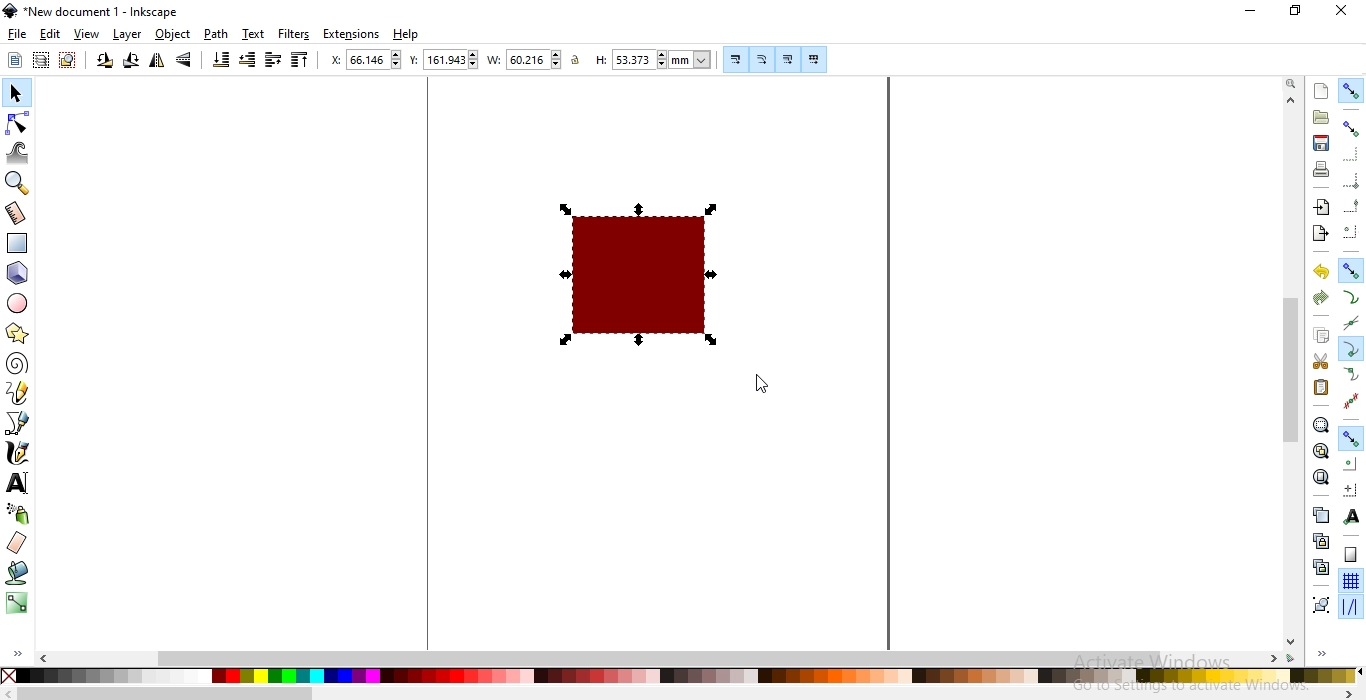 This screenshot has height=700, width=1366. I want to click on scrollbar, so click(658, 658).